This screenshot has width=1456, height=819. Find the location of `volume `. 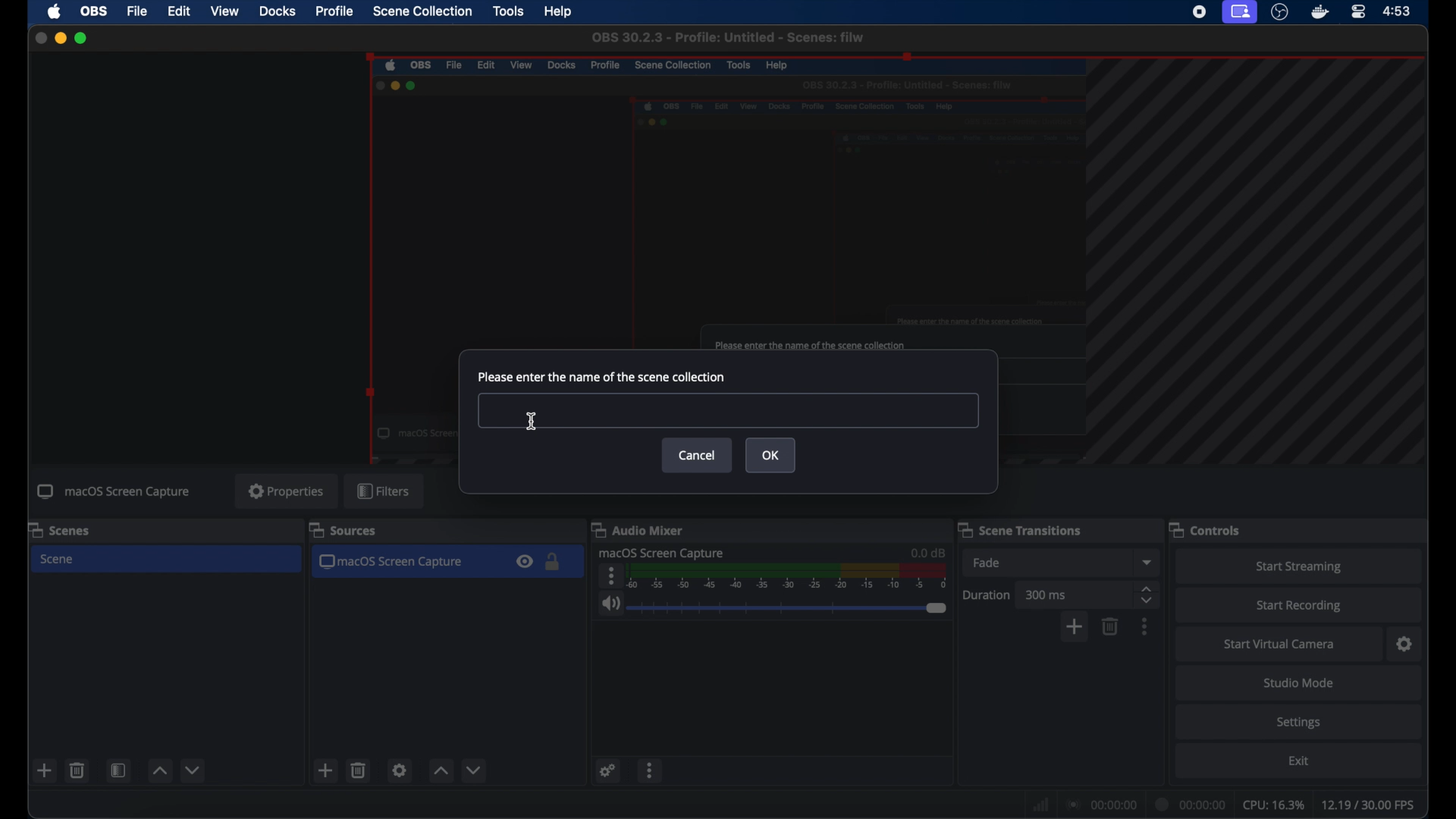

volume  is located at coordinates (609, 604).